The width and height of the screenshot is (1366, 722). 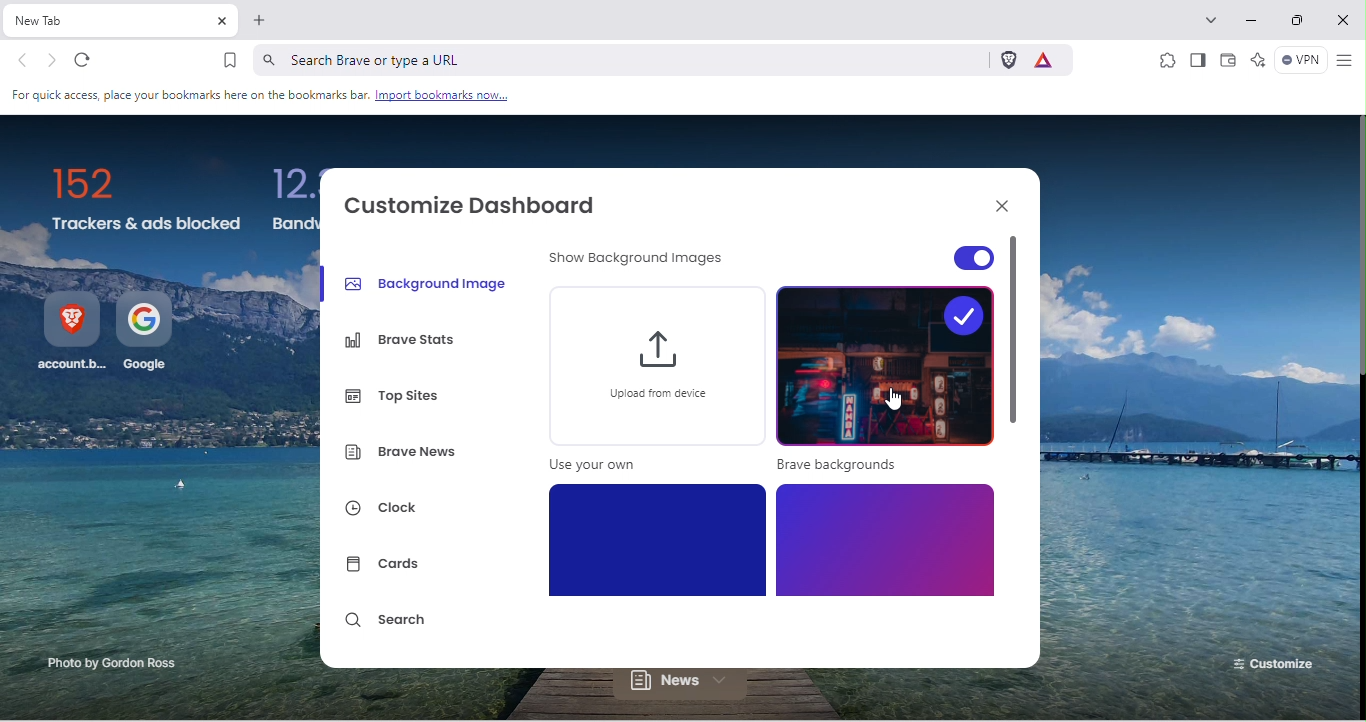 What do you see at coordinates (260, 24) in the screenshot?
I see `New tab` at bounding box center [260, 24].